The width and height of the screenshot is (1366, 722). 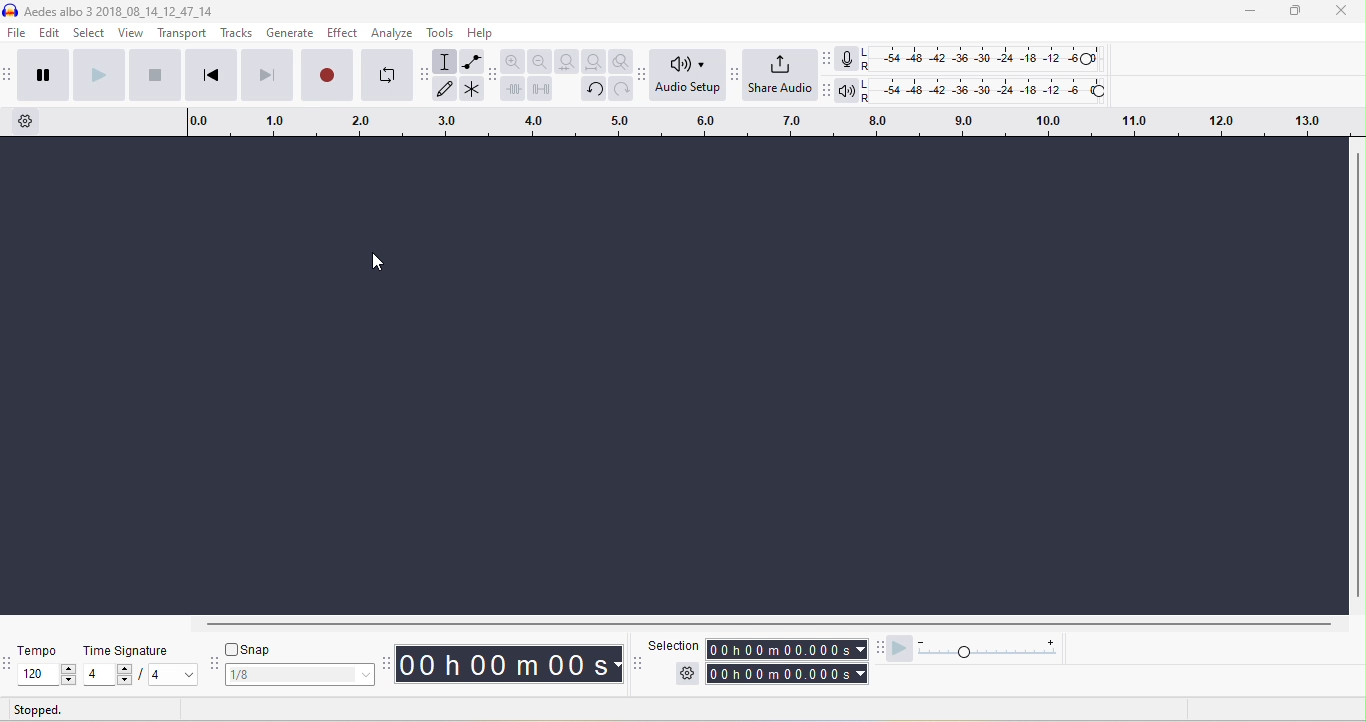 I want to click on fit selection to width, so click(x=569, y=62).